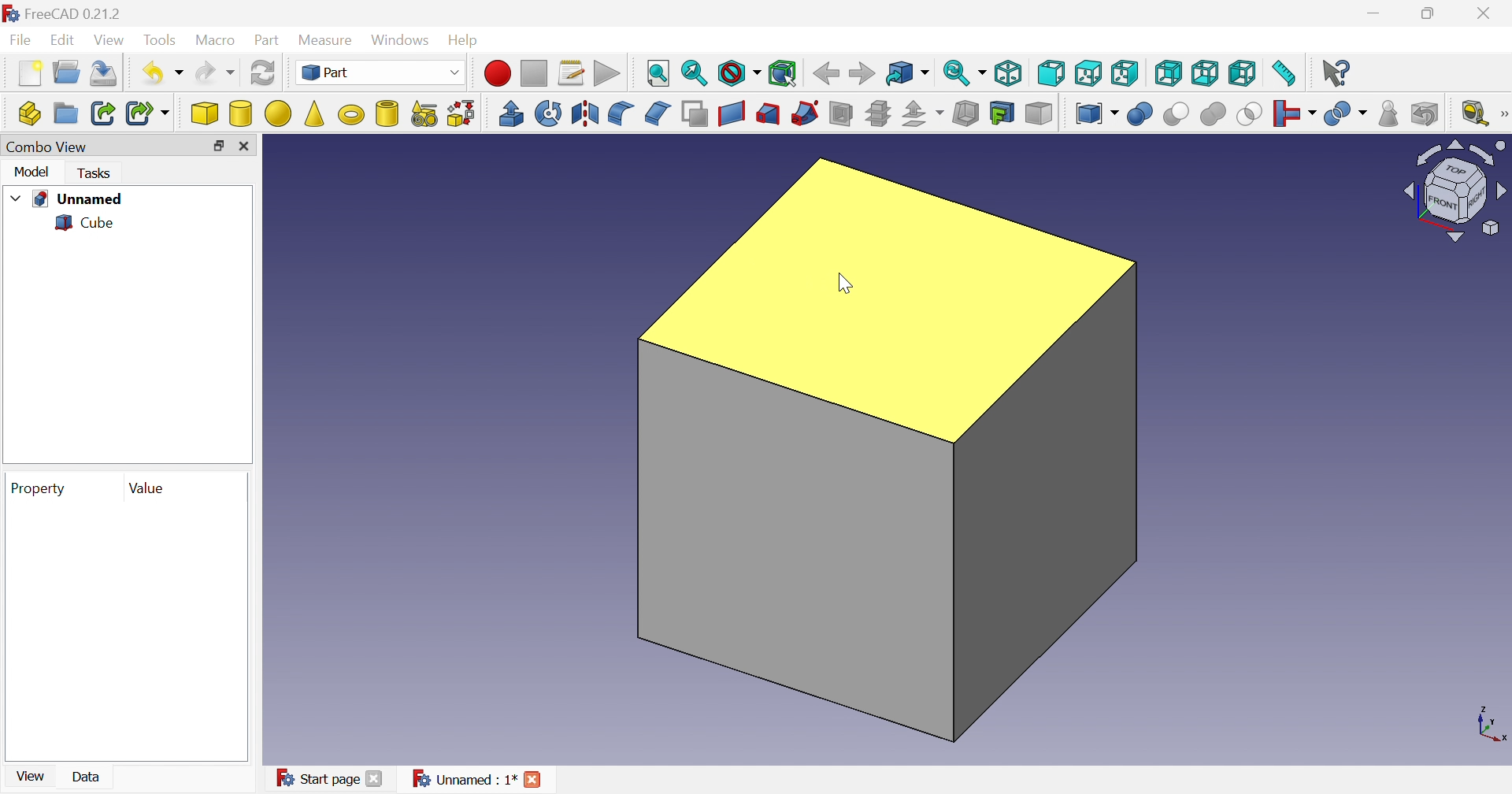 The height and width of the screenshot is (794, 1512). I want to click on Switch between workbenches, so click(383, 72).